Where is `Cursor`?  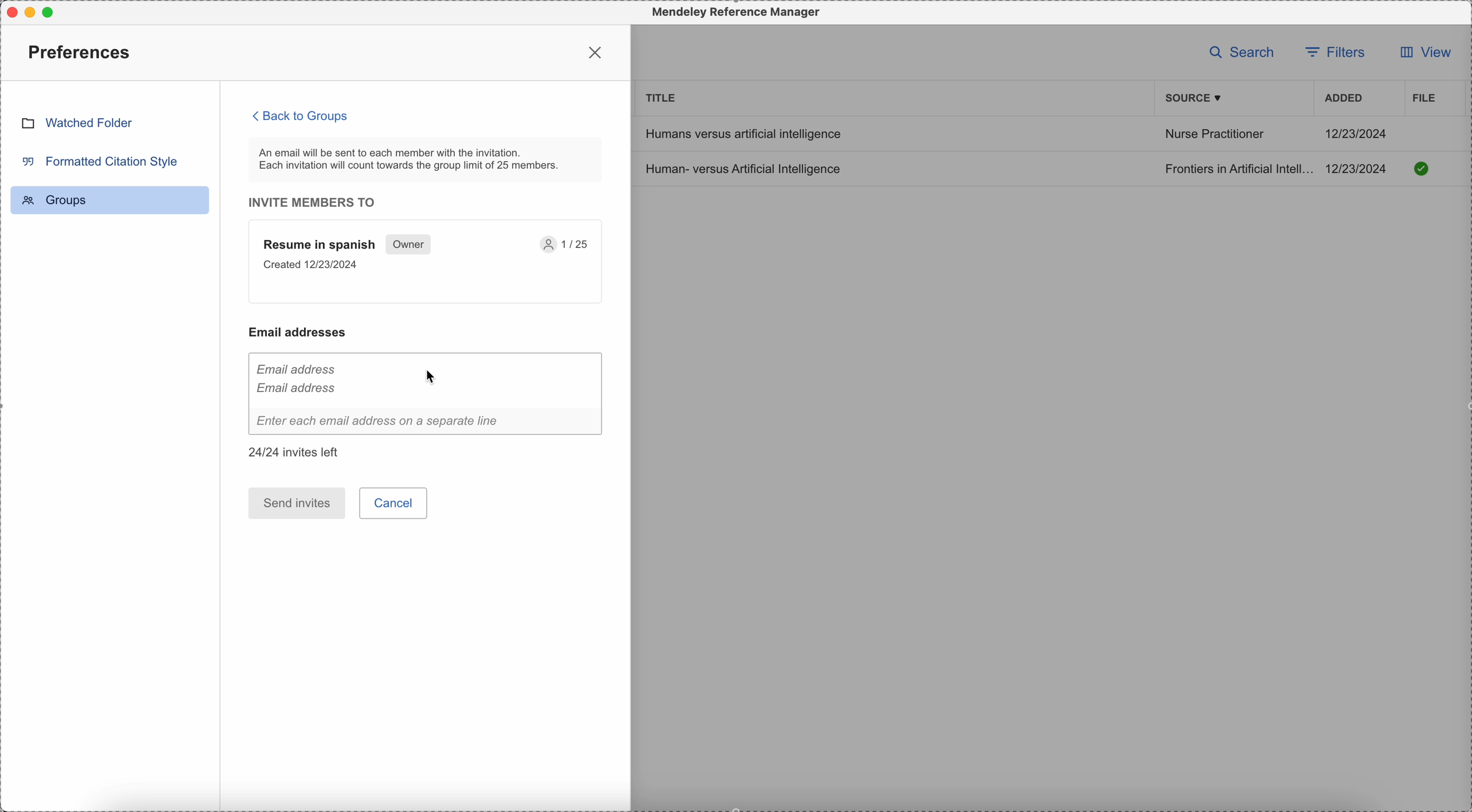 Cursor is located at coordinates (430, 375).